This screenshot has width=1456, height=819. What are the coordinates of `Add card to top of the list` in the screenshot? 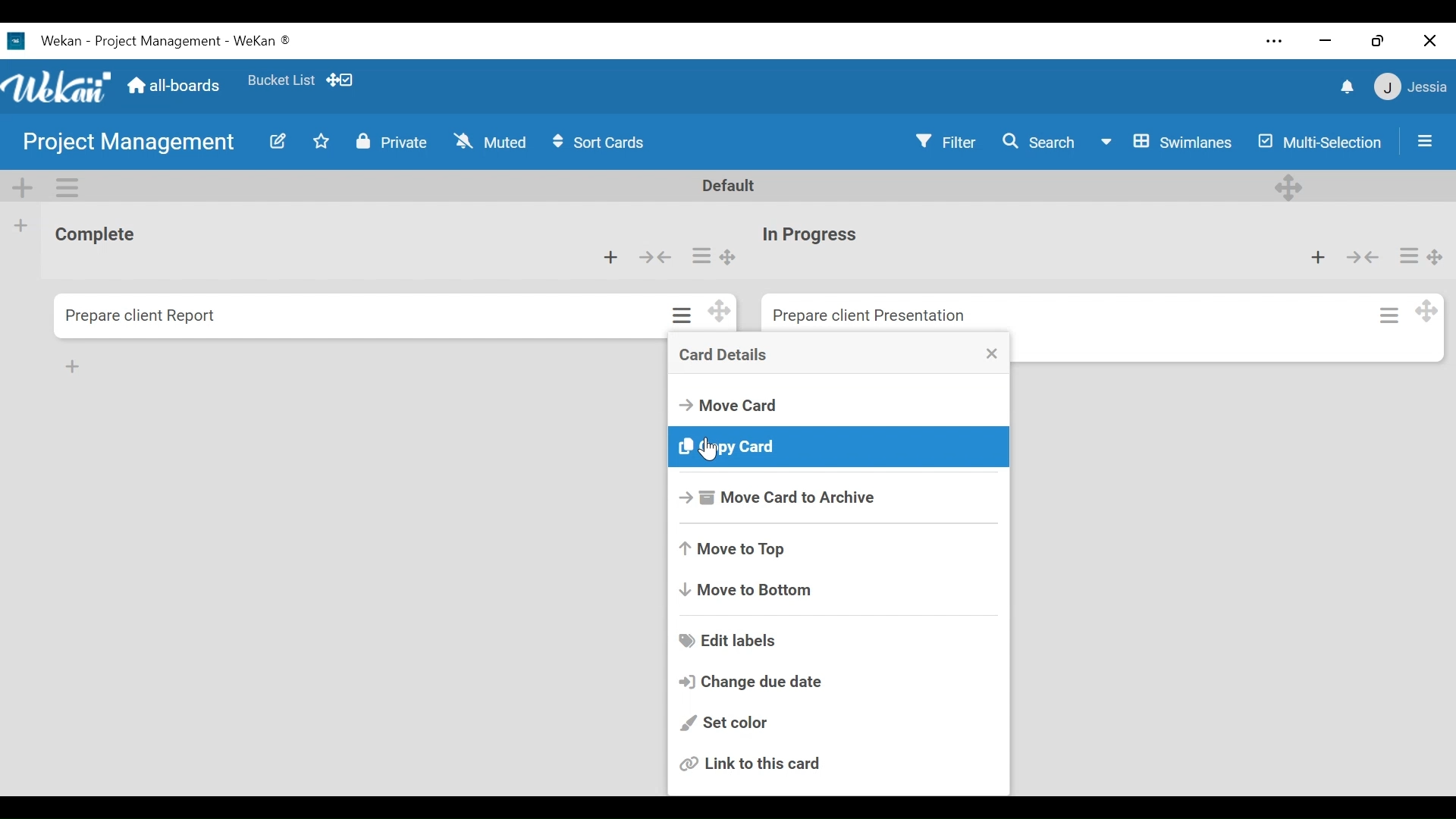 It's located at (1318, 257).